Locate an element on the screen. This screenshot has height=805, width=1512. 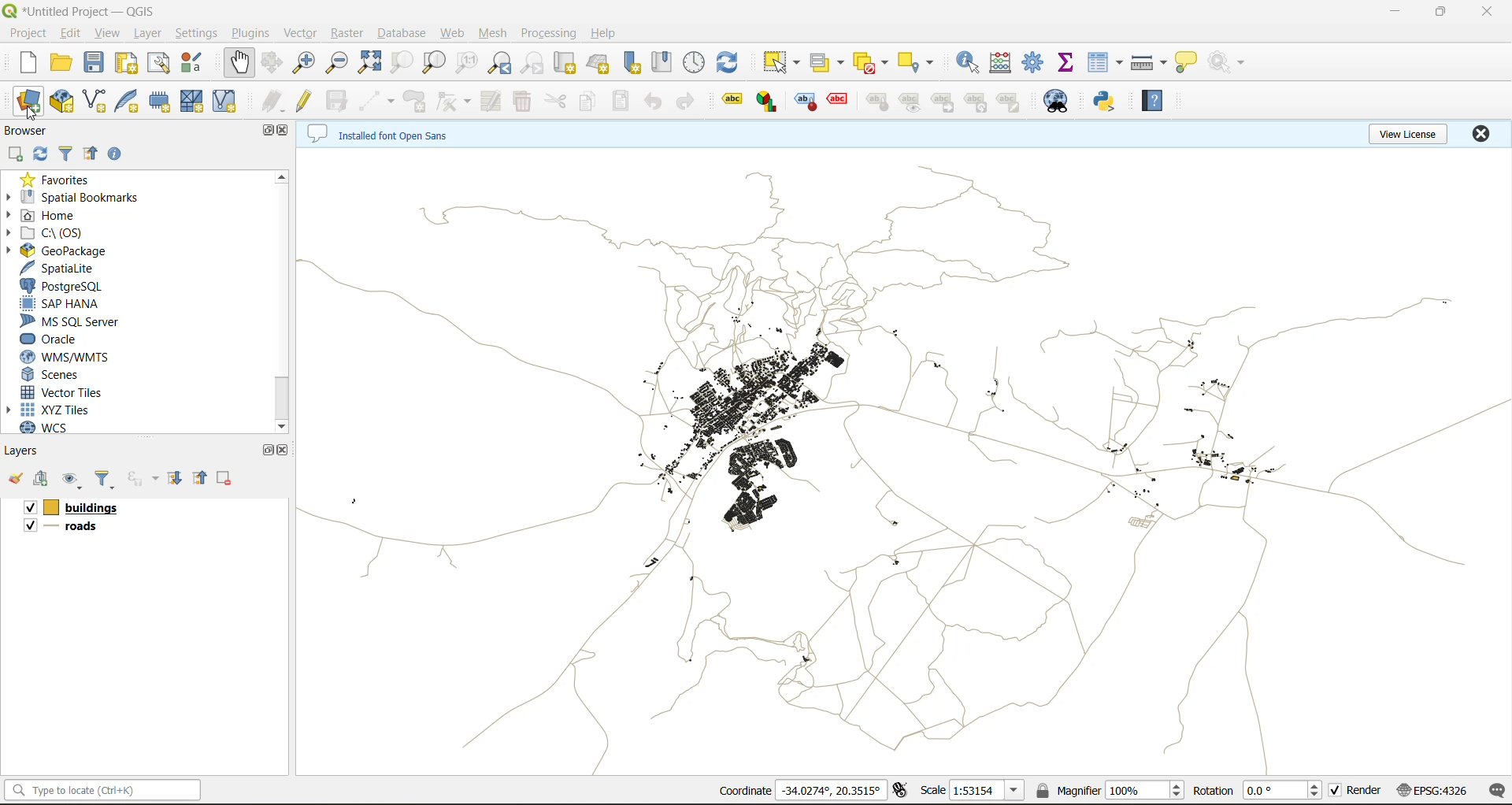
save is located at coordinates (98, 63).